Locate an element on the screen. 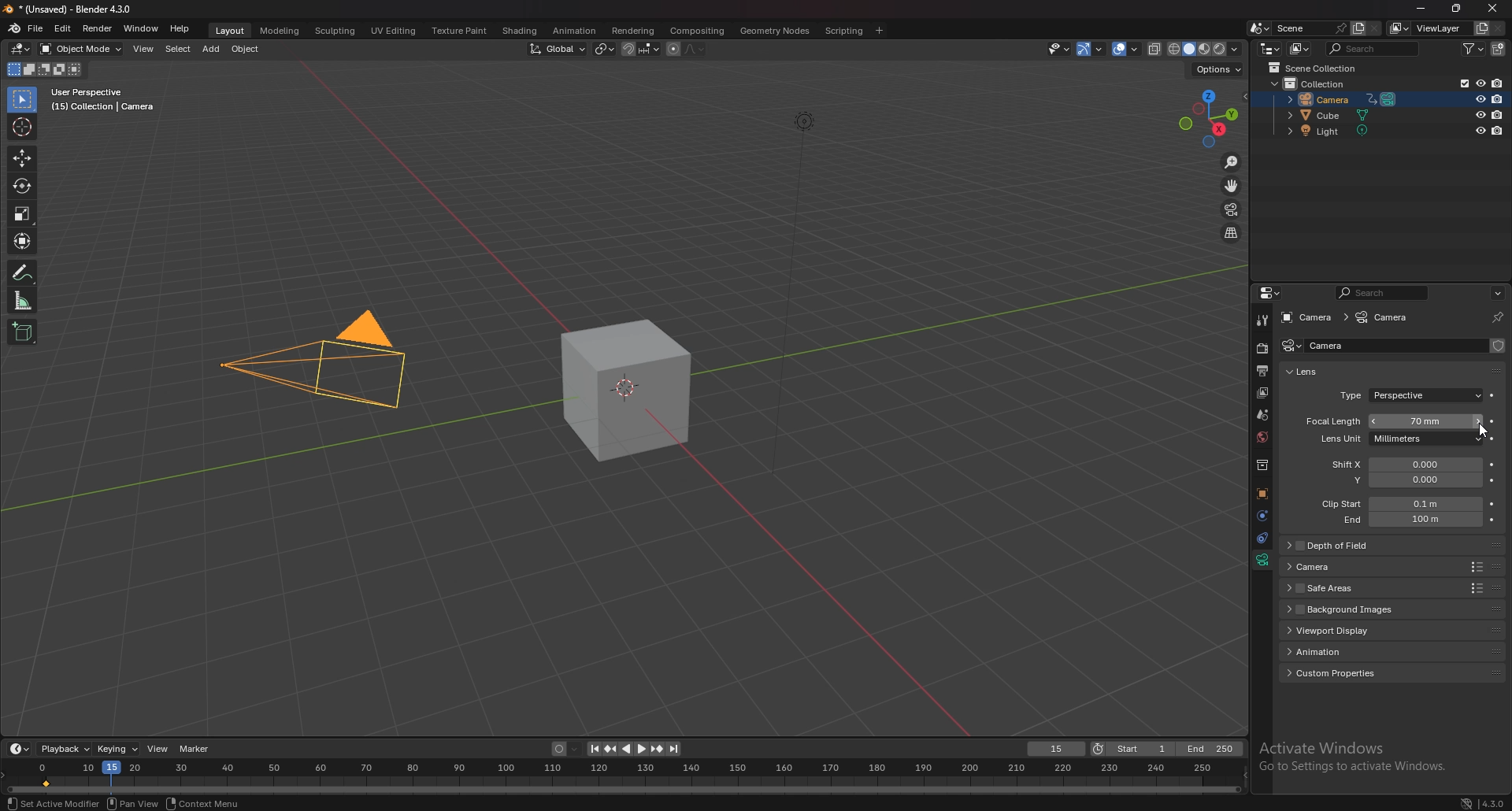 The image size is (1512, 811). object is located at coordinates (246, 50).